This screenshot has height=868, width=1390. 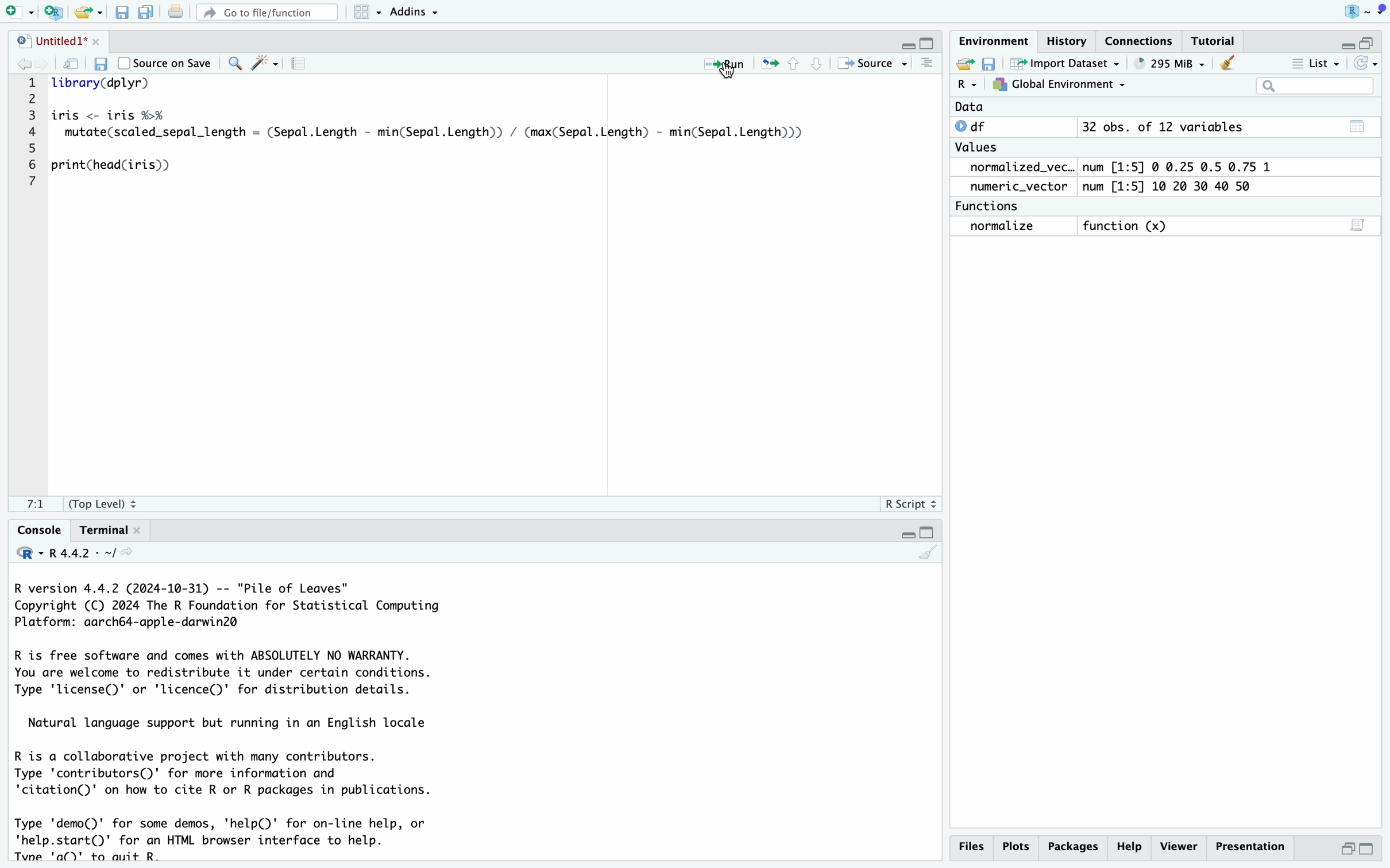 What do you see at coordinates (299, 64) in the screenshot?
I see `Page` at bounding box center [299, 64].